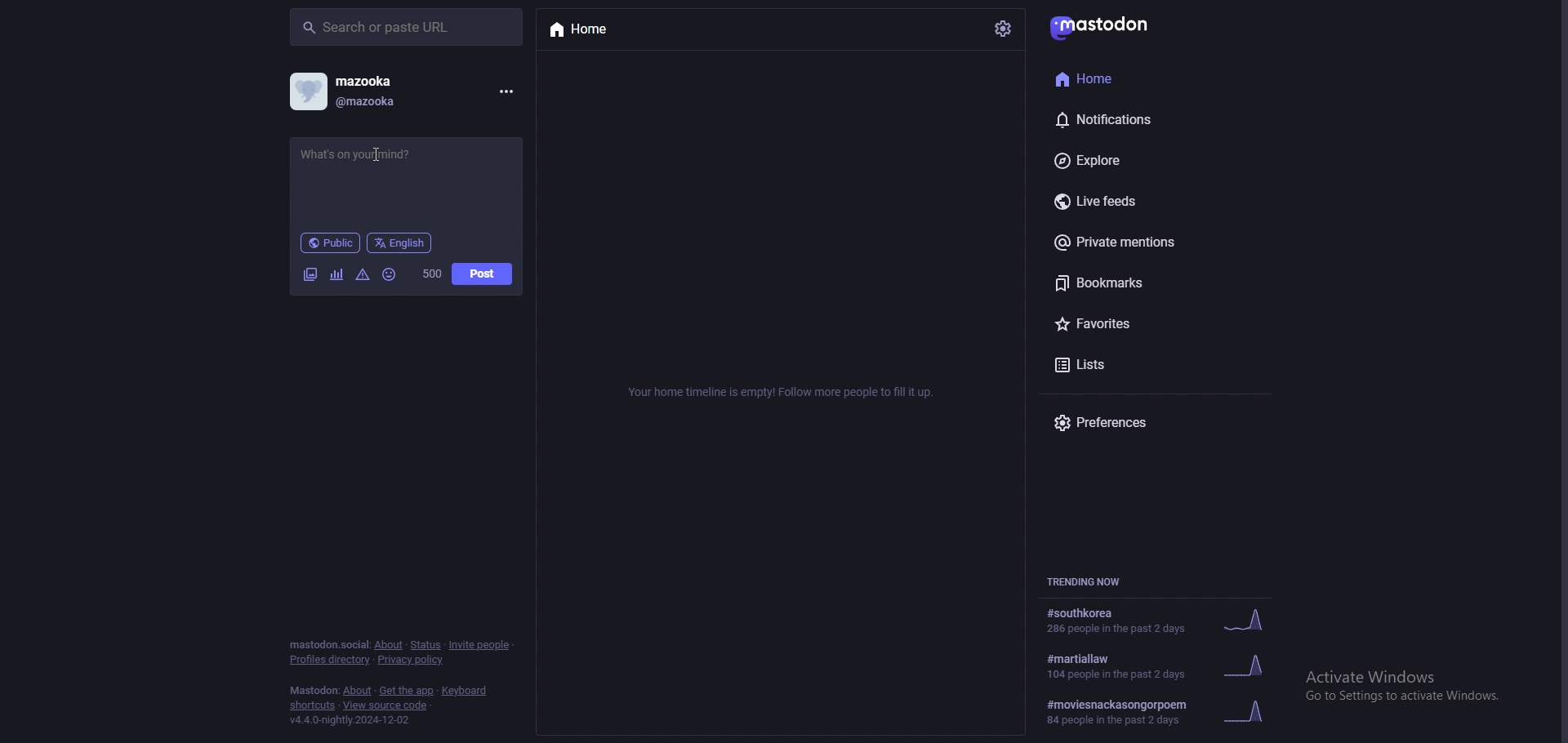 This screenshot has width=1568, height=743. Describe the element at coordinates (613, 30) in the screenshot. I see `home` at that location.